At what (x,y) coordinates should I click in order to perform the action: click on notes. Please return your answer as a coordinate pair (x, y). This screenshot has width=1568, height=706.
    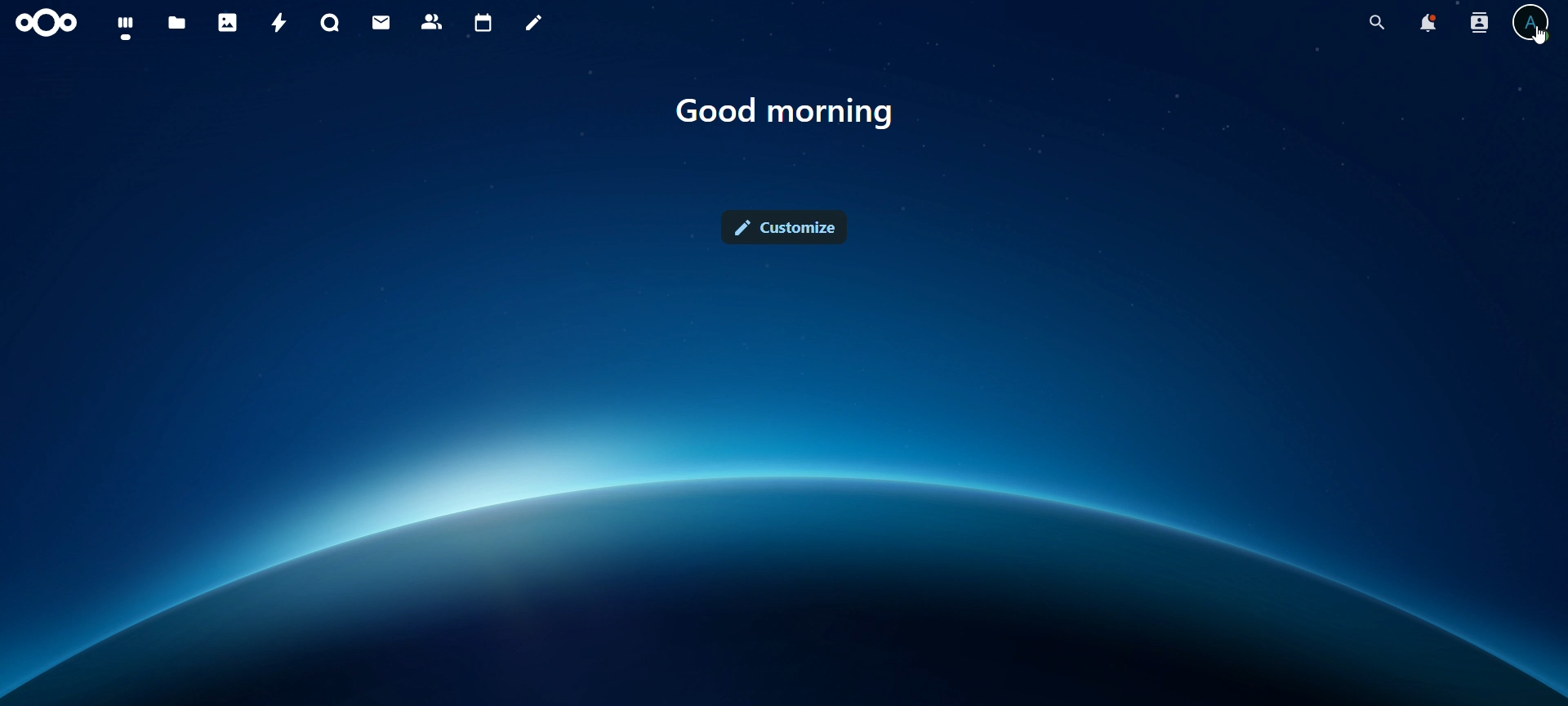
    Looking at the image, I should click on (533, 25).